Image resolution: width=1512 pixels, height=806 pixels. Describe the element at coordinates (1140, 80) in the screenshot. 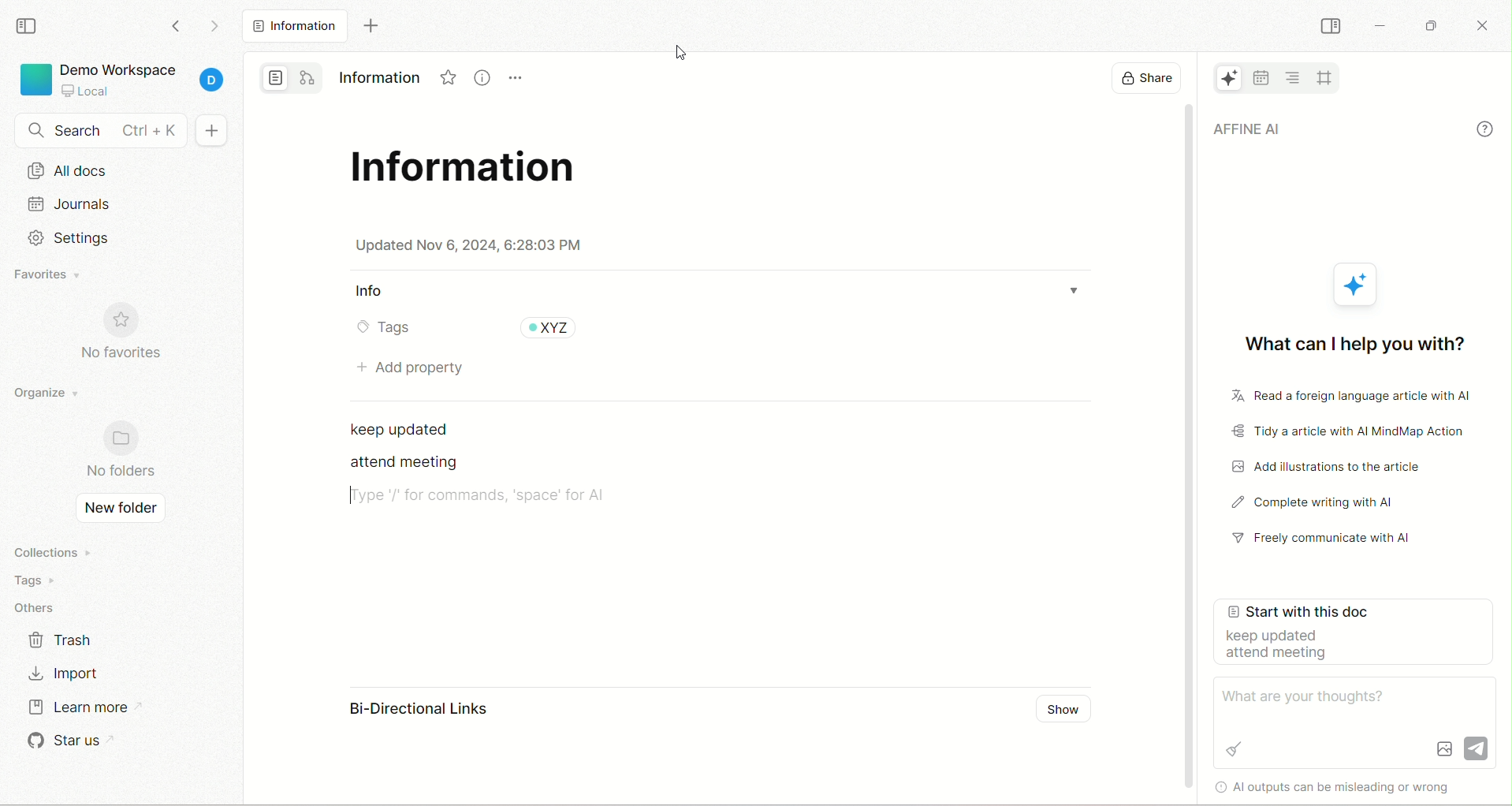

I see `display` at that location.